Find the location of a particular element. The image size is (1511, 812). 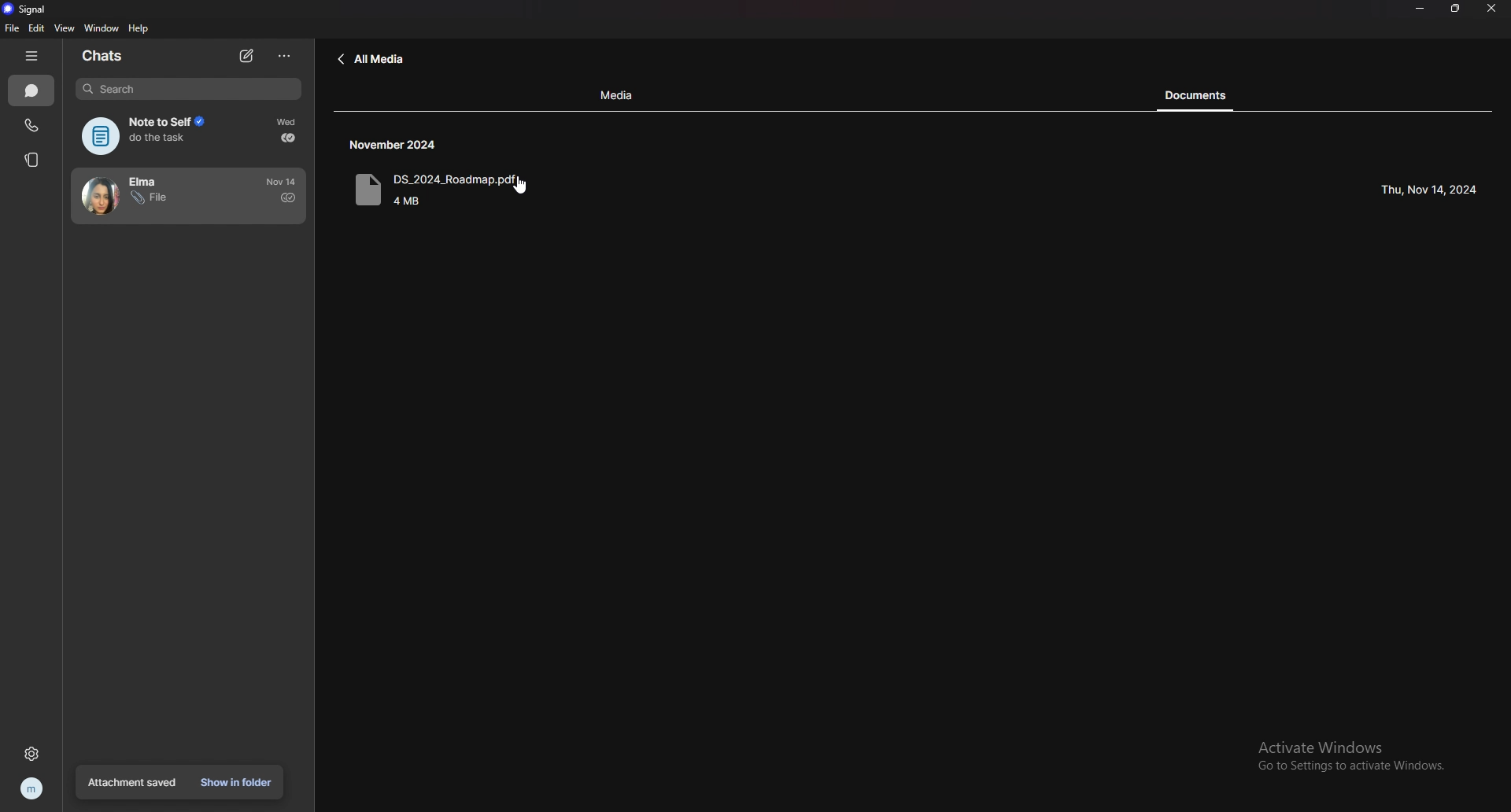

delivered is located at coordinates (288, 138).